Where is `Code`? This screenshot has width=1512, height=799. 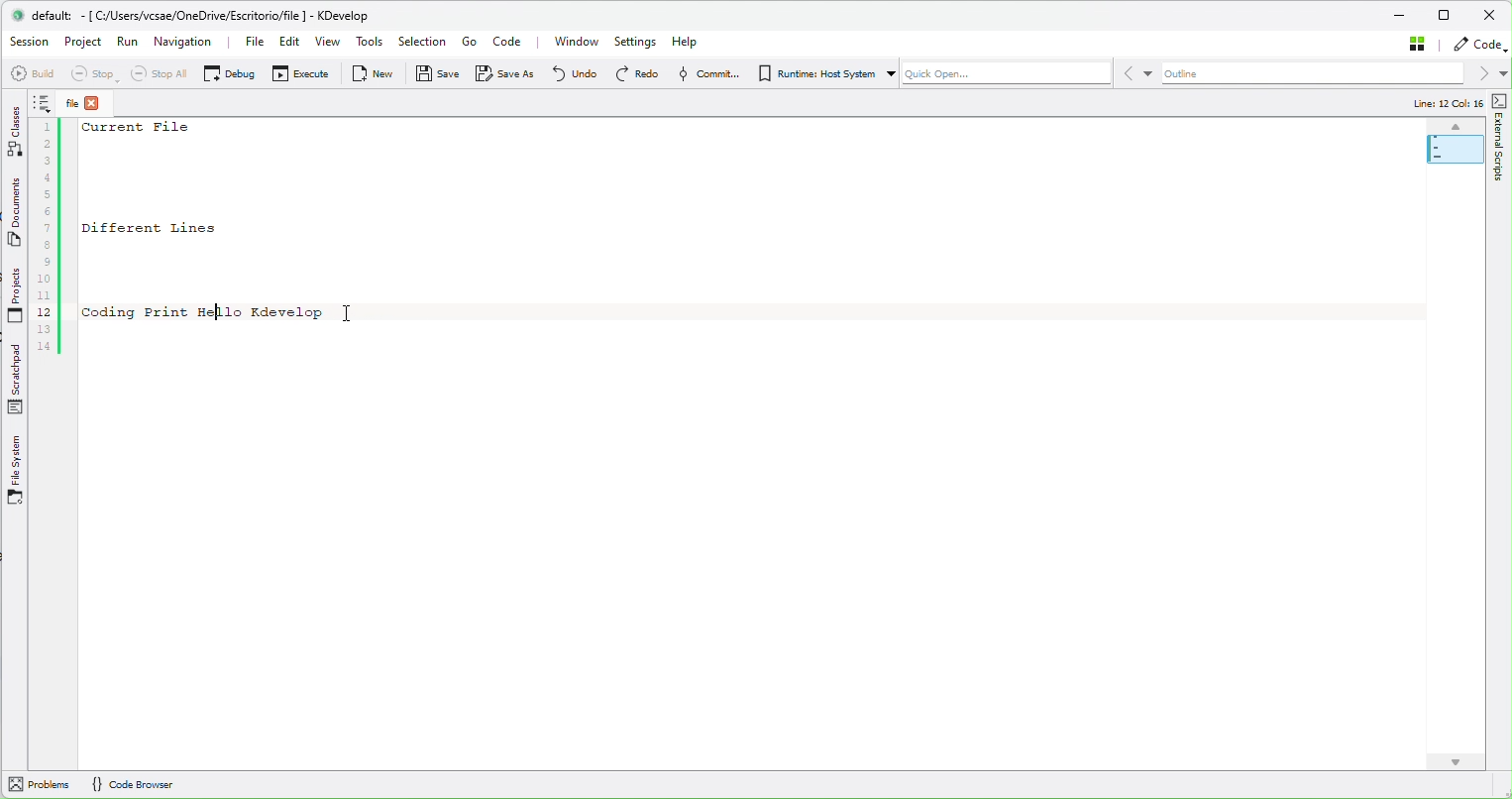 Code is located at coordinates (1477, 46).